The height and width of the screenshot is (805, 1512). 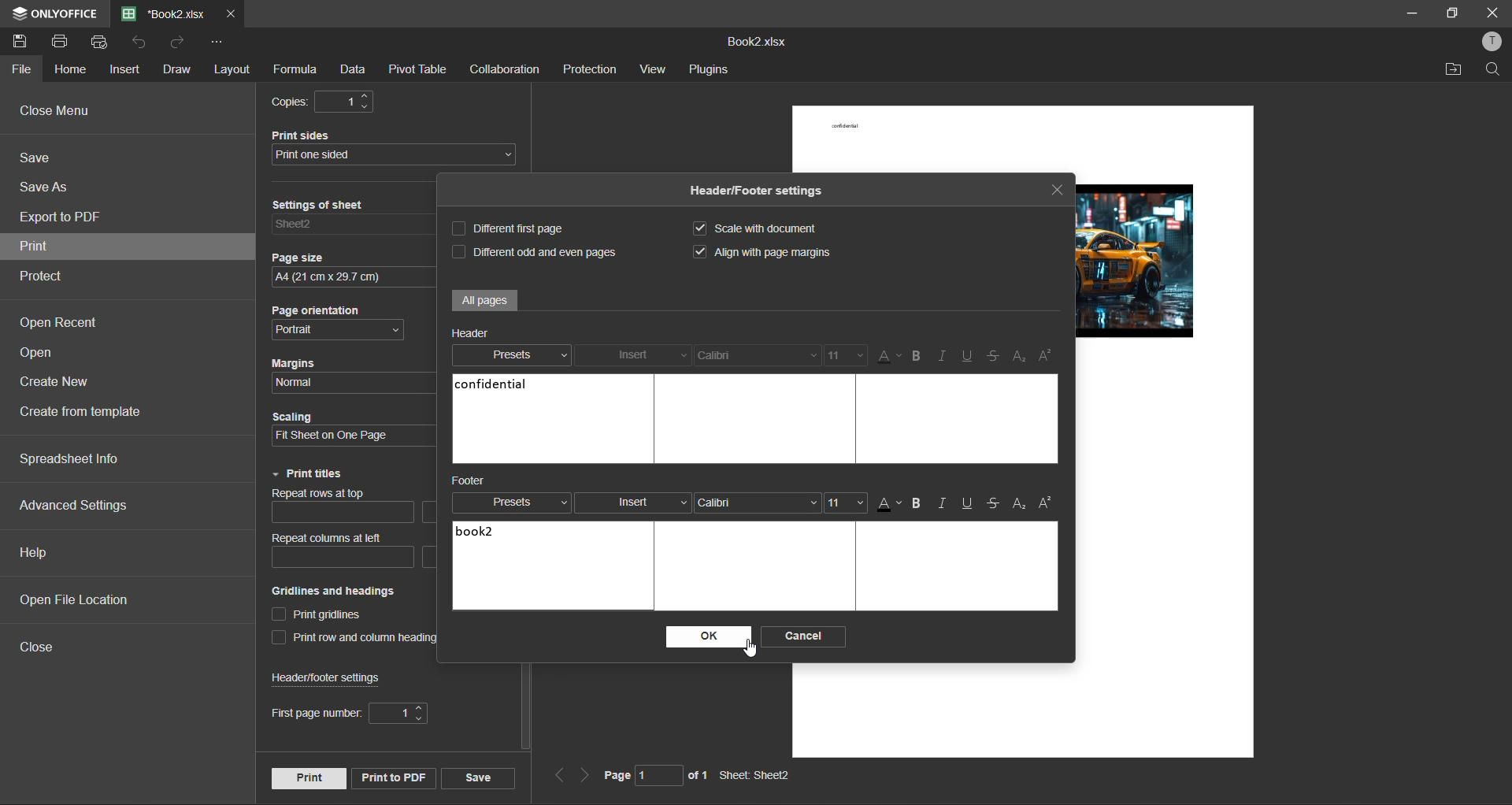 What do you see at coordinates (335, 591) in the screenshot?
I see `Gridlines and headings` at bounding box center [335, 591].